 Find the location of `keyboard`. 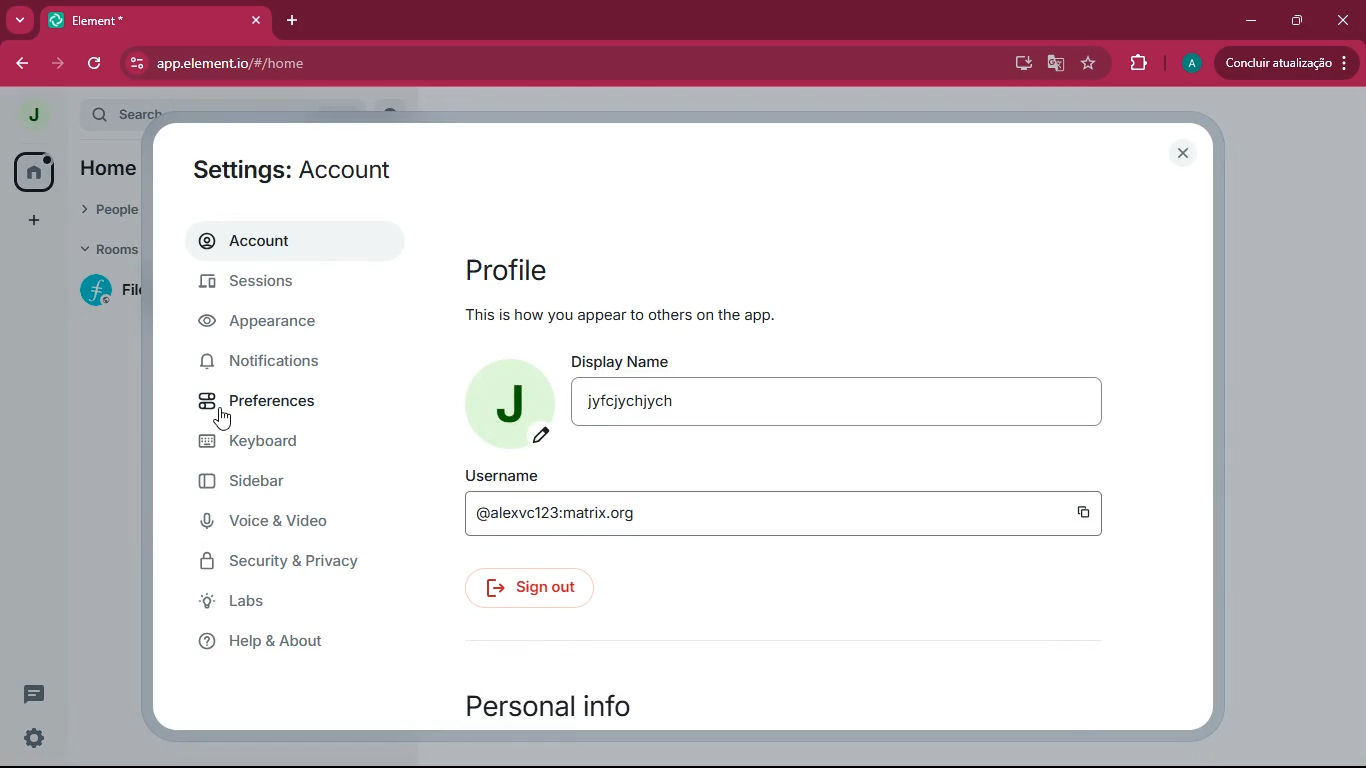

keyboard is located at coordinates (286, 444).